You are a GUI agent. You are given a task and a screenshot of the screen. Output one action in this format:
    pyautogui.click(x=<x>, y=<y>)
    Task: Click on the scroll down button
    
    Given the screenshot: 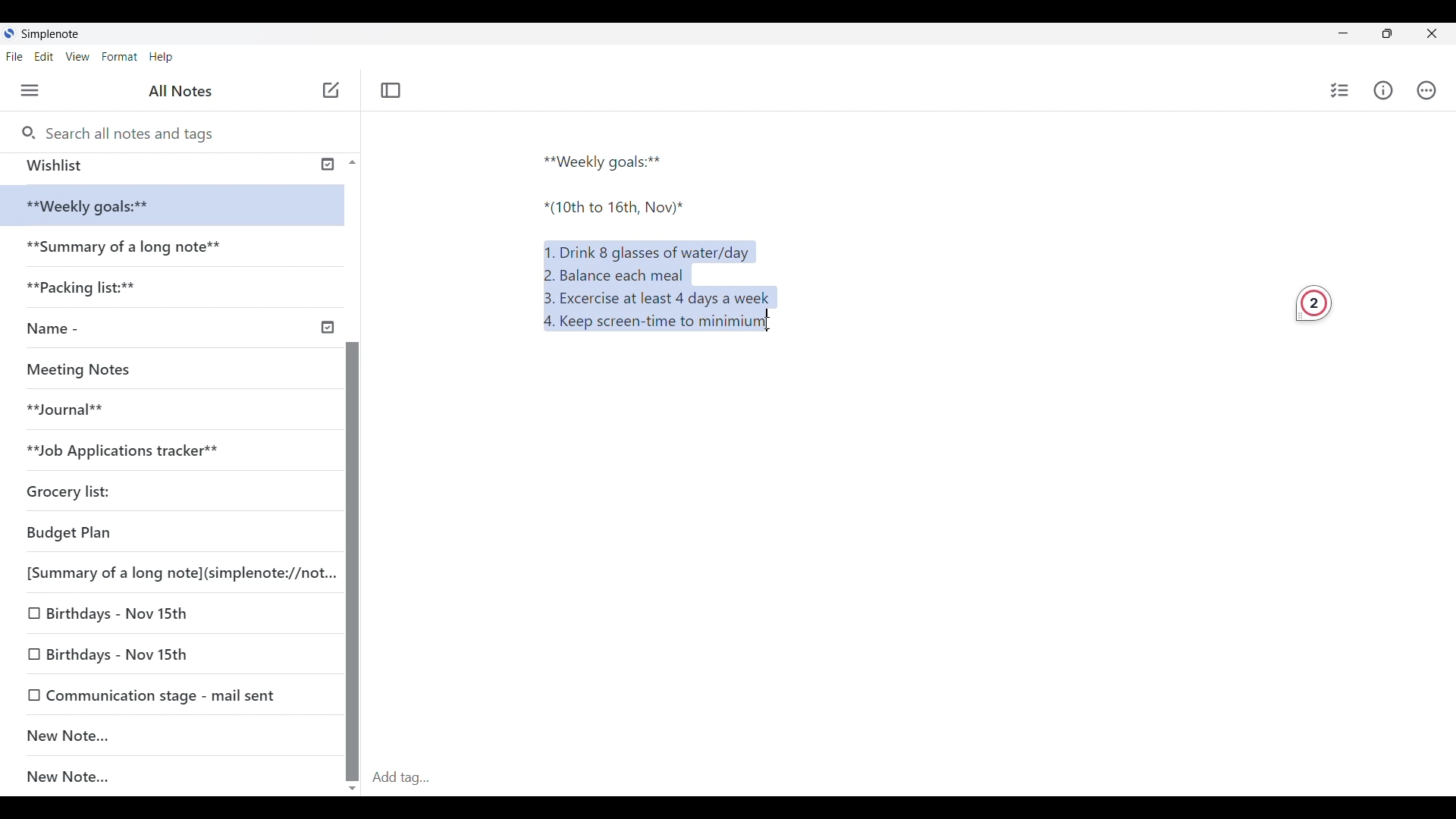 What is the action you would take?
    pyautogui.click(x=353, y=783)
    